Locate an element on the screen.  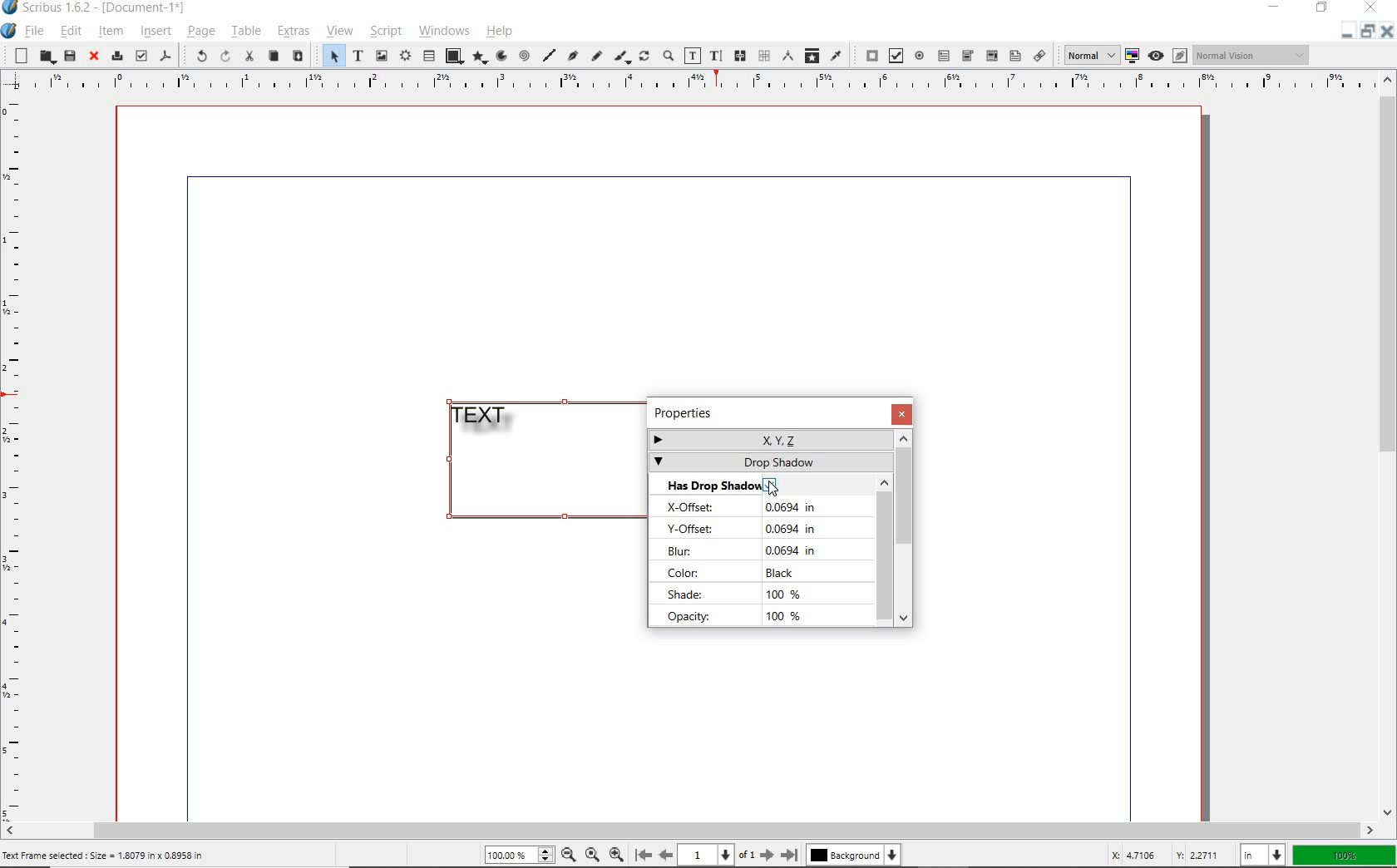
calligraphic line is located at coordinates (623, 57).